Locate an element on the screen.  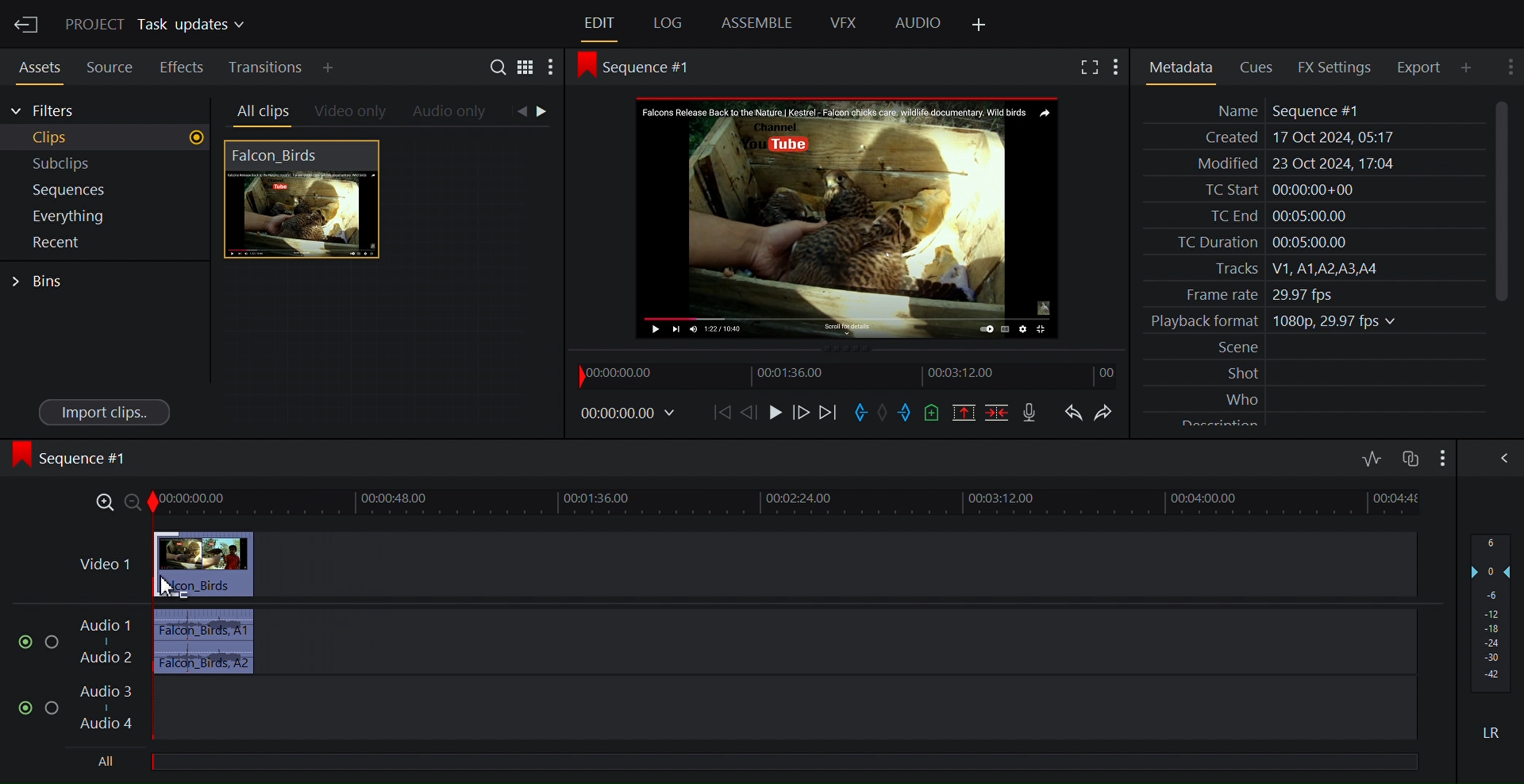
Scene is located at coordinates (1316, 348).